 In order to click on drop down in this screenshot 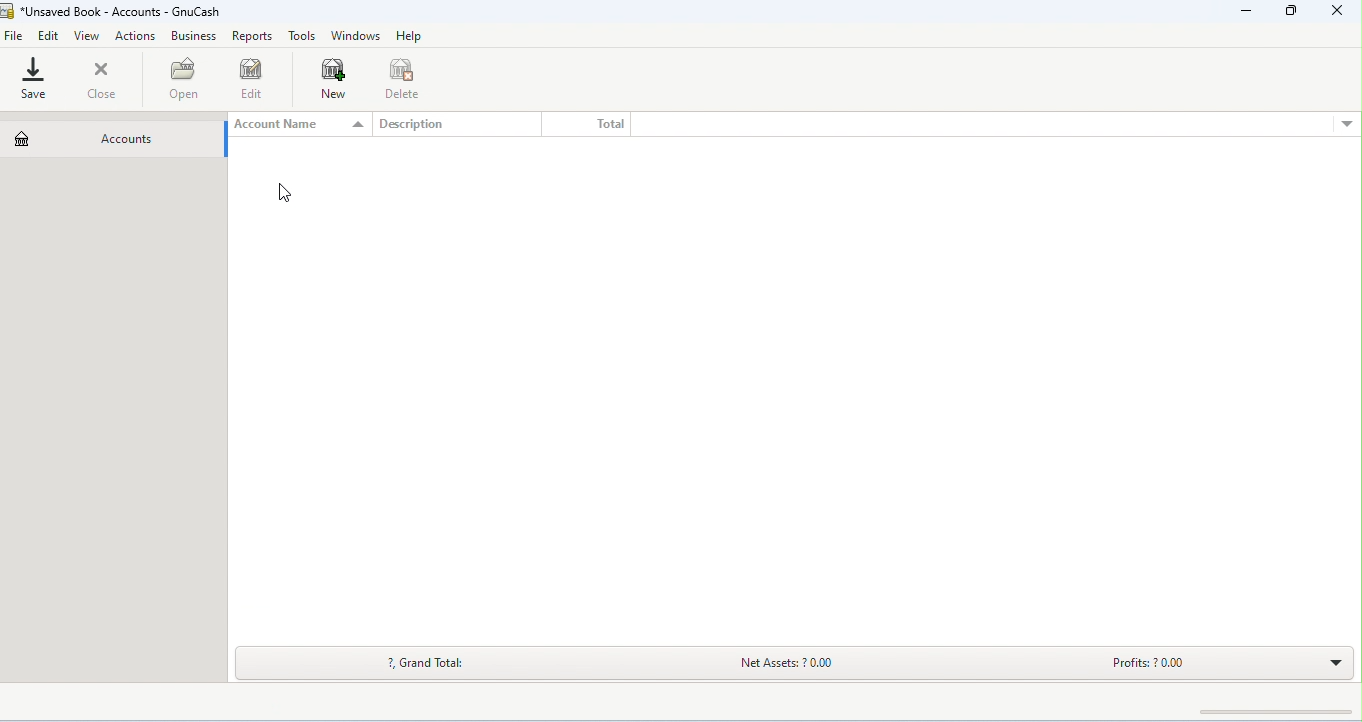, I will do `click(1334, 661)`.